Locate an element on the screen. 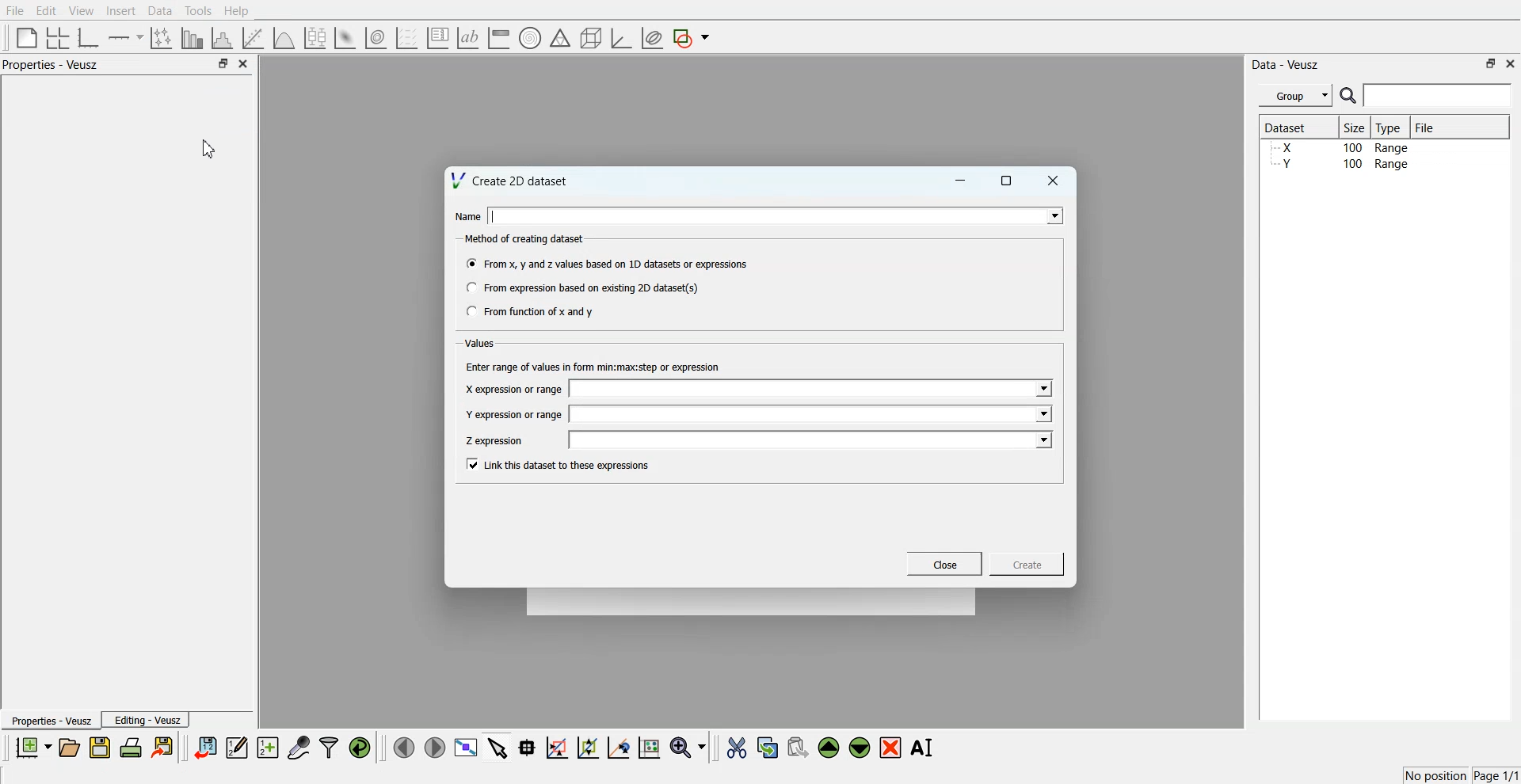 The height and width of the screenshot is (784, 1521). Enter name is located at coordinates (778, 215).